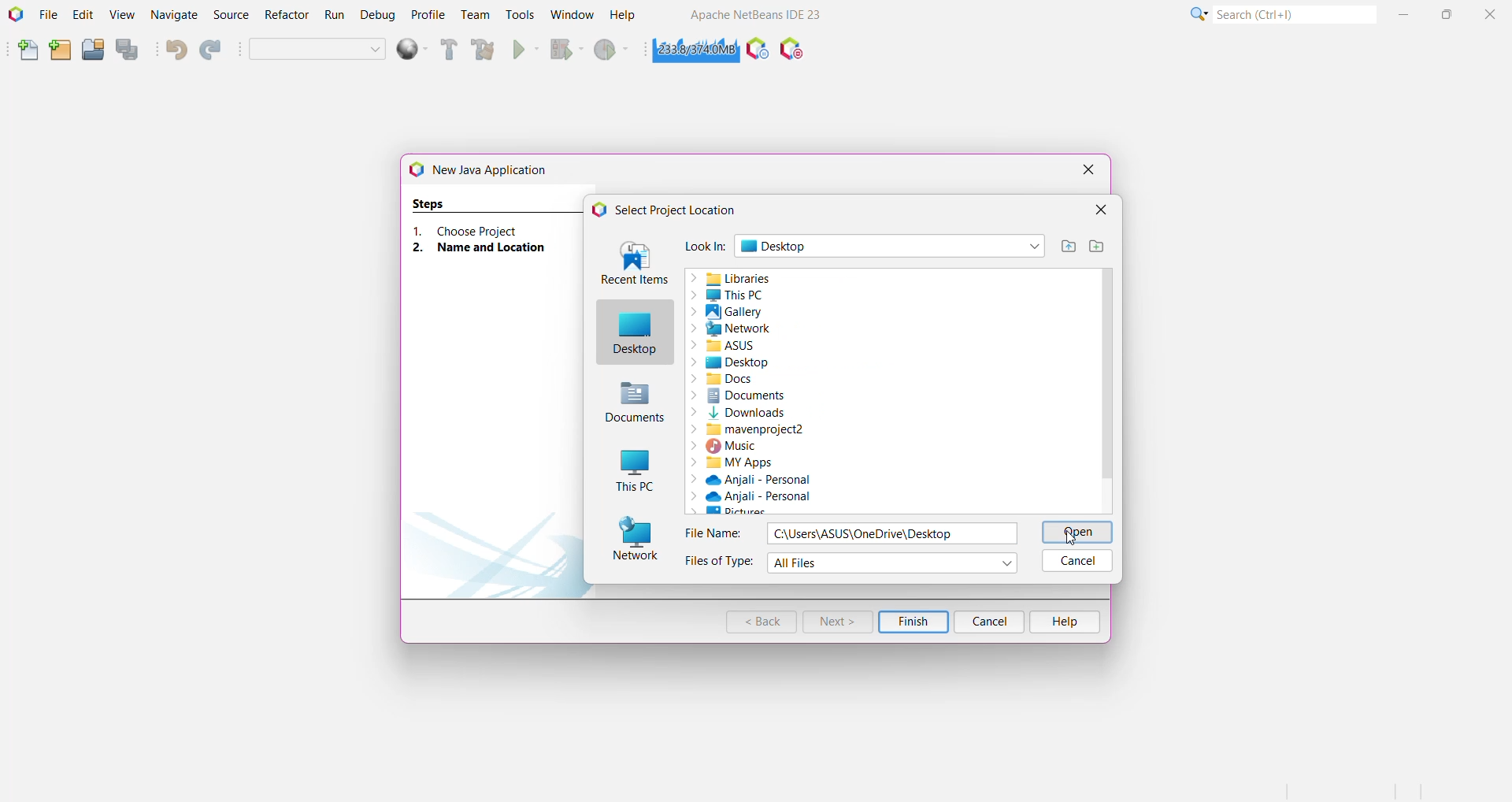 The width and height of the screenshot is (1512, 802). Describe the element at coordinates (1295, 17) in the screenshot. I see `Search` at that location.